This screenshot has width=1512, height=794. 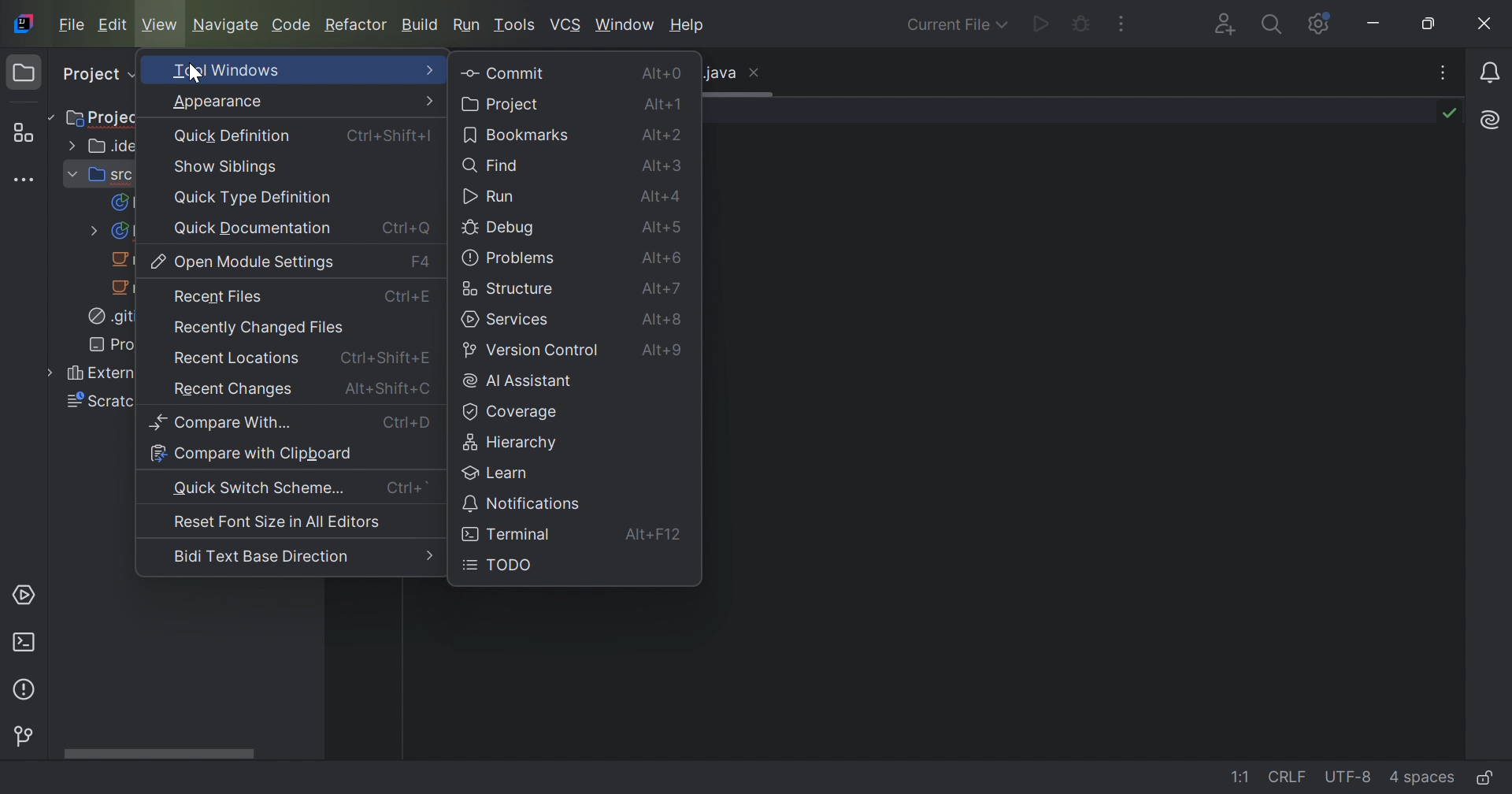 What do you see at coordinates (123, 260) in the screenshot?
I see `main2.java` at bounding box center [123, 260].